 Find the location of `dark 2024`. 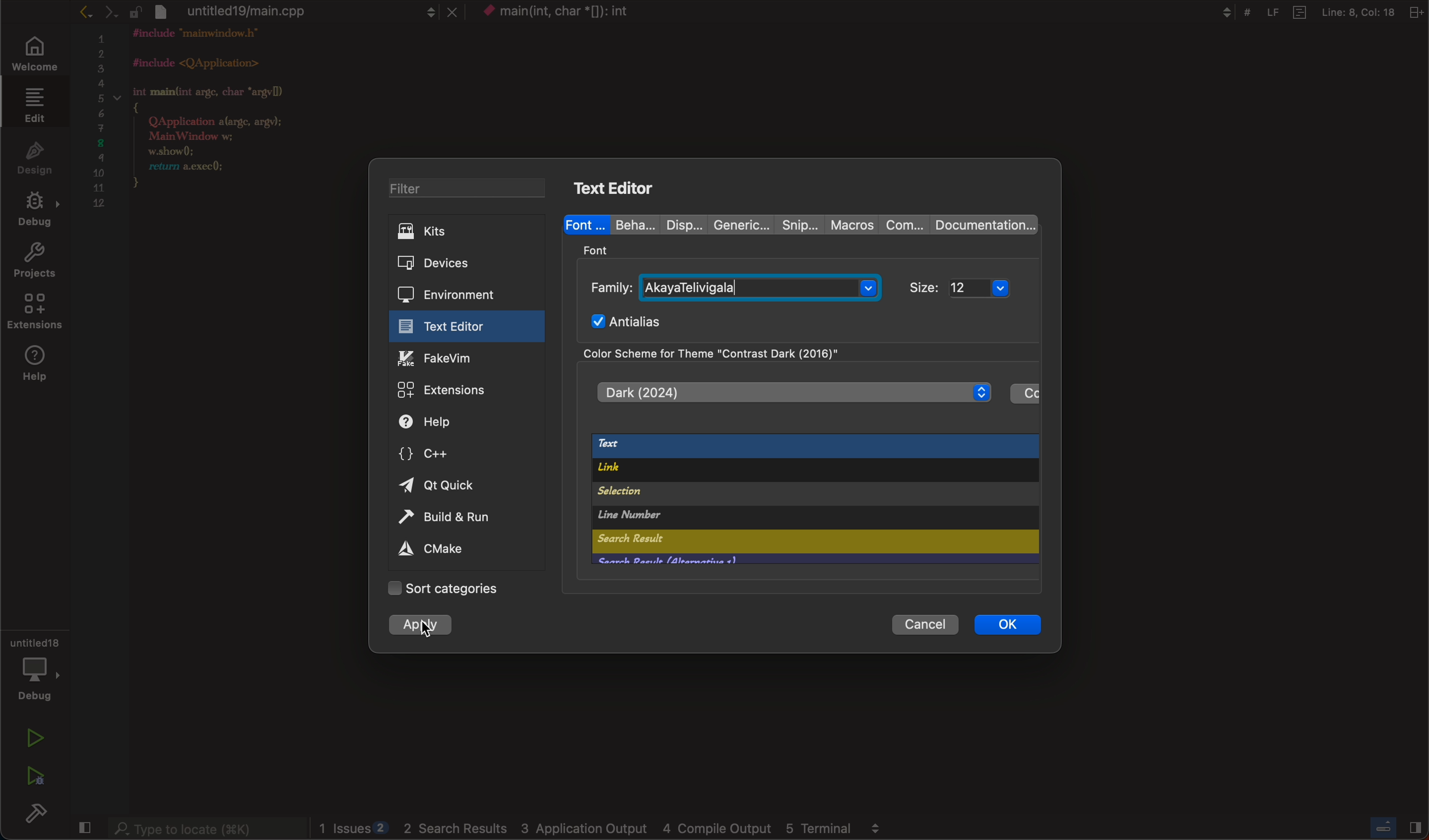

dark 2024 is located at coordinates (792, 392).